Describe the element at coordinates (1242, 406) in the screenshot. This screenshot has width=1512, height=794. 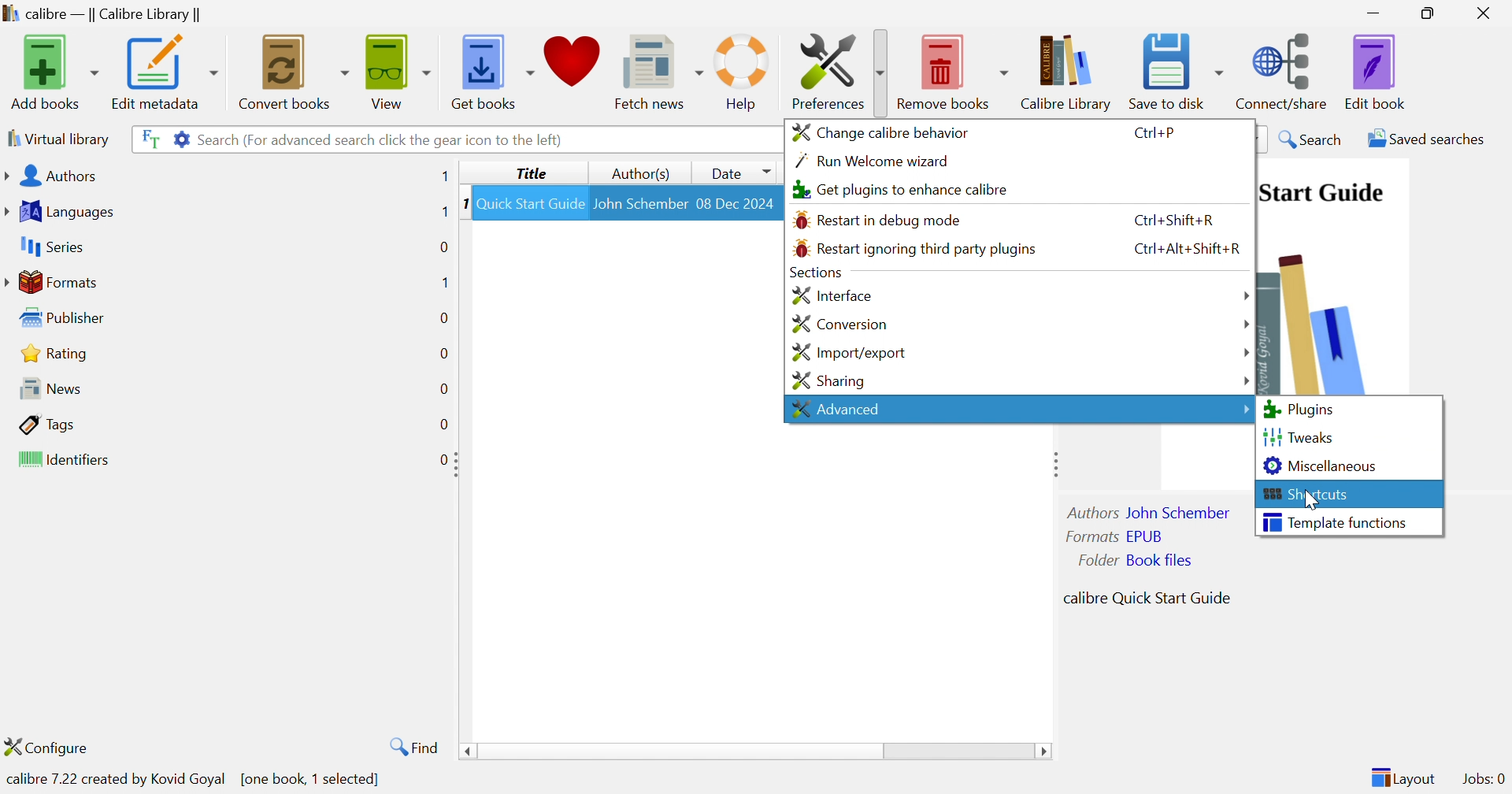
I see `Drop Down` at that location.